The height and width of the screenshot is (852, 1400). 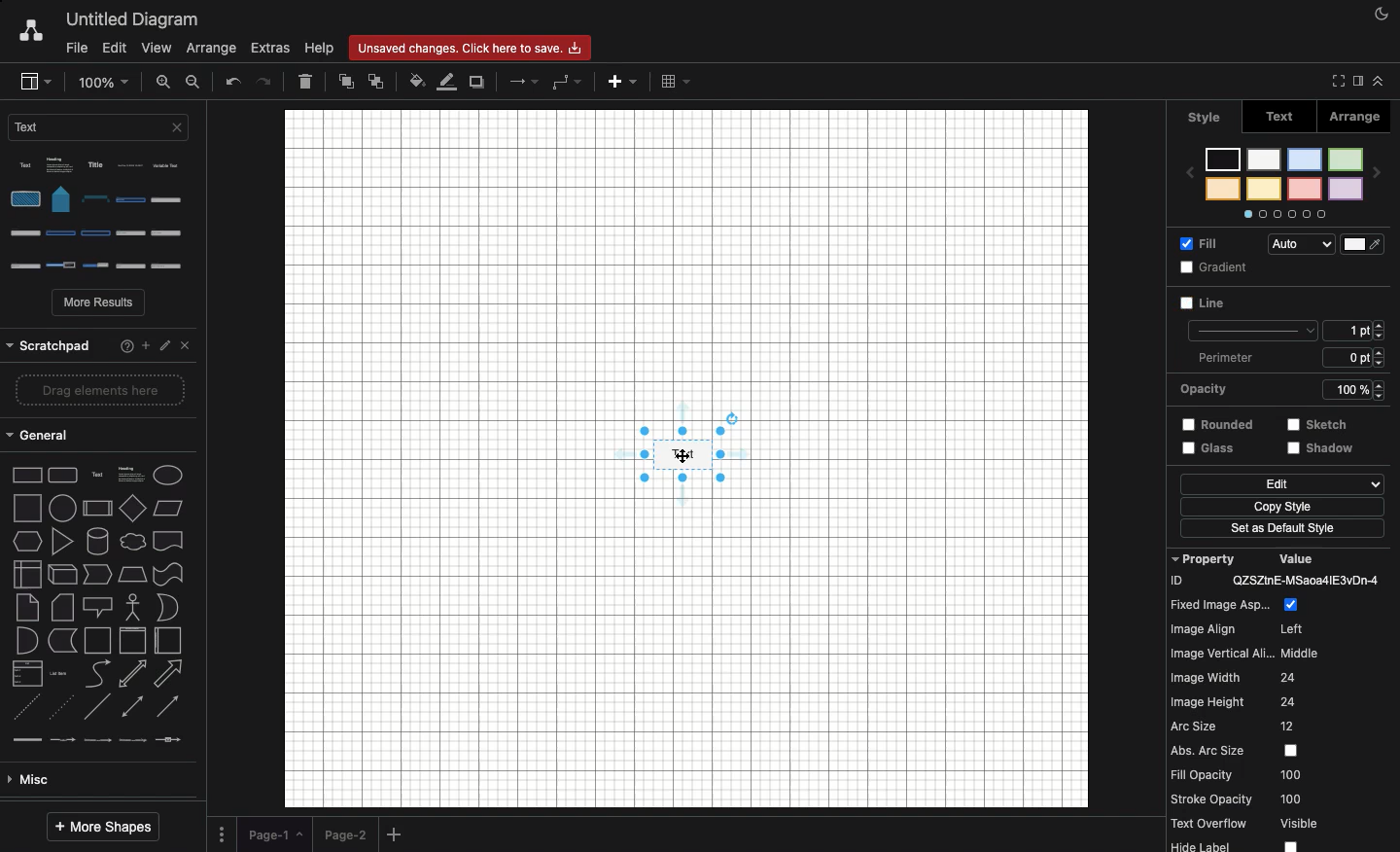 I want to click on style, so click(x=1205, y=116).